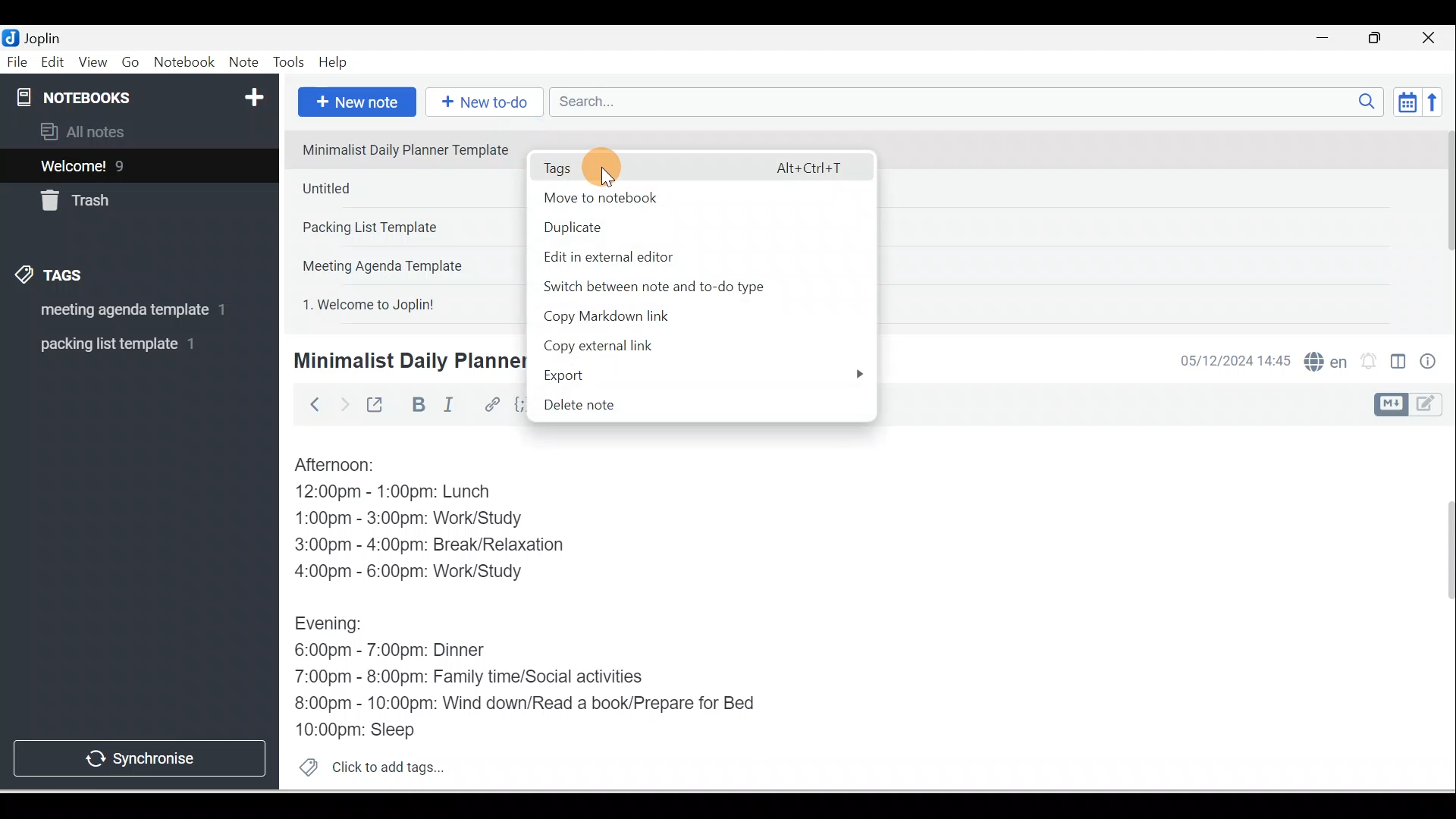  What do you see at coordinates (605, 168) in the screenshot?
I see `cursor` at bounding box center [605, 168].